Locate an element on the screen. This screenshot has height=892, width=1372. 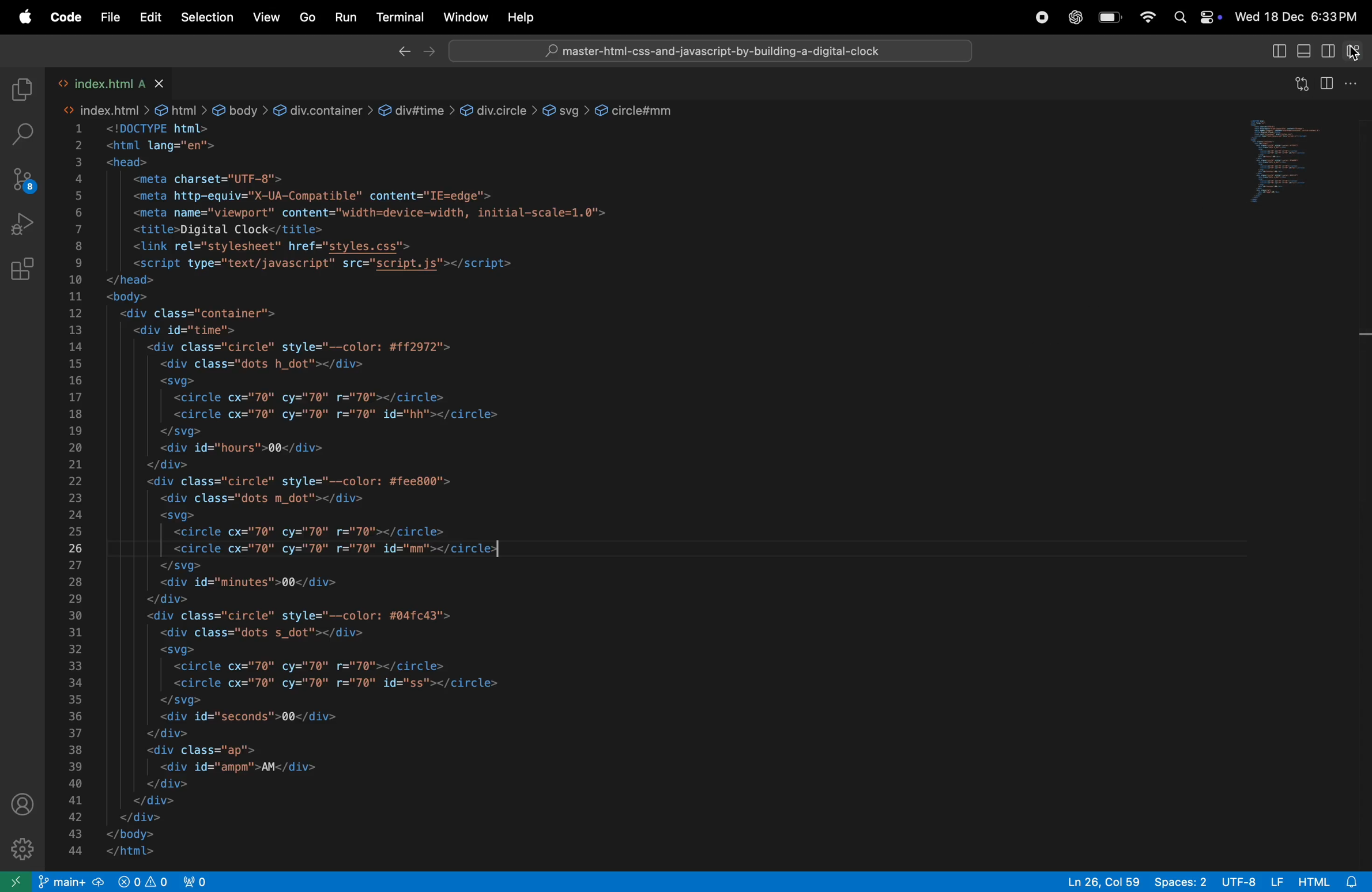
html  is located at coordinates (1332, 881).